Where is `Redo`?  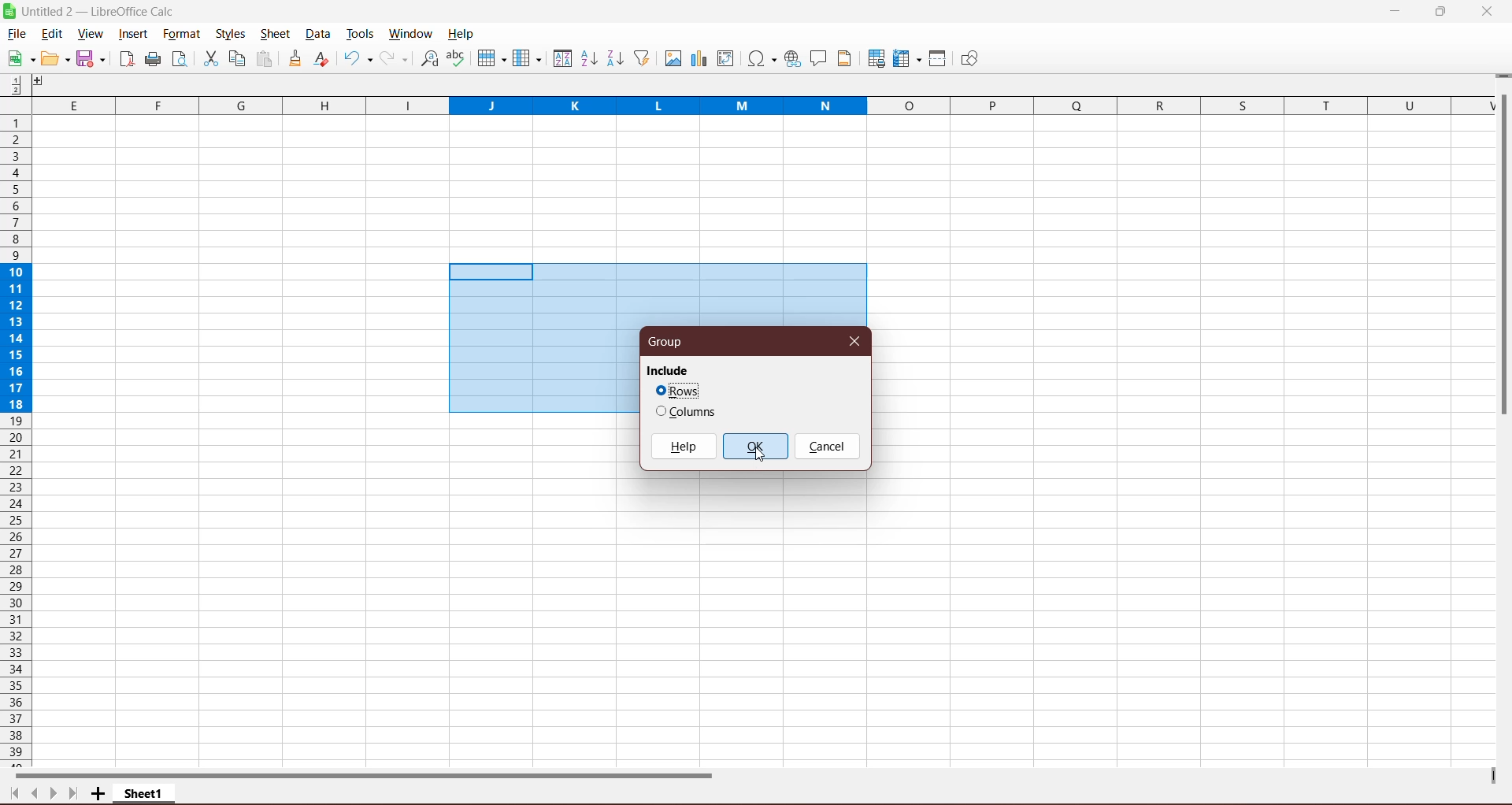
Redo is located at coordinates (395, 58).